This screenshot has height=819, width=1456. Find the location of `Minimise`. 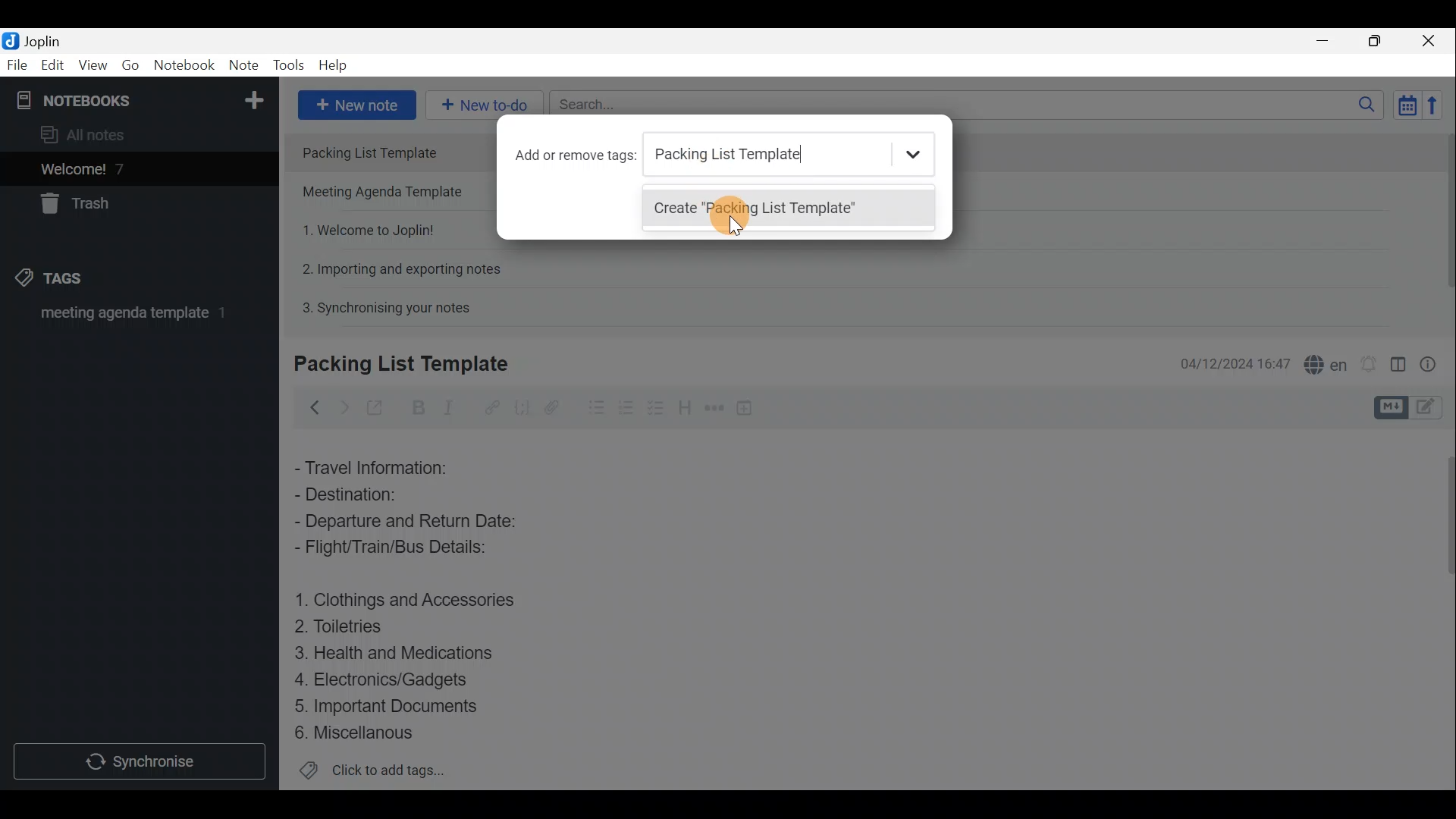

Minimise is located at coordinates (1330, 43).